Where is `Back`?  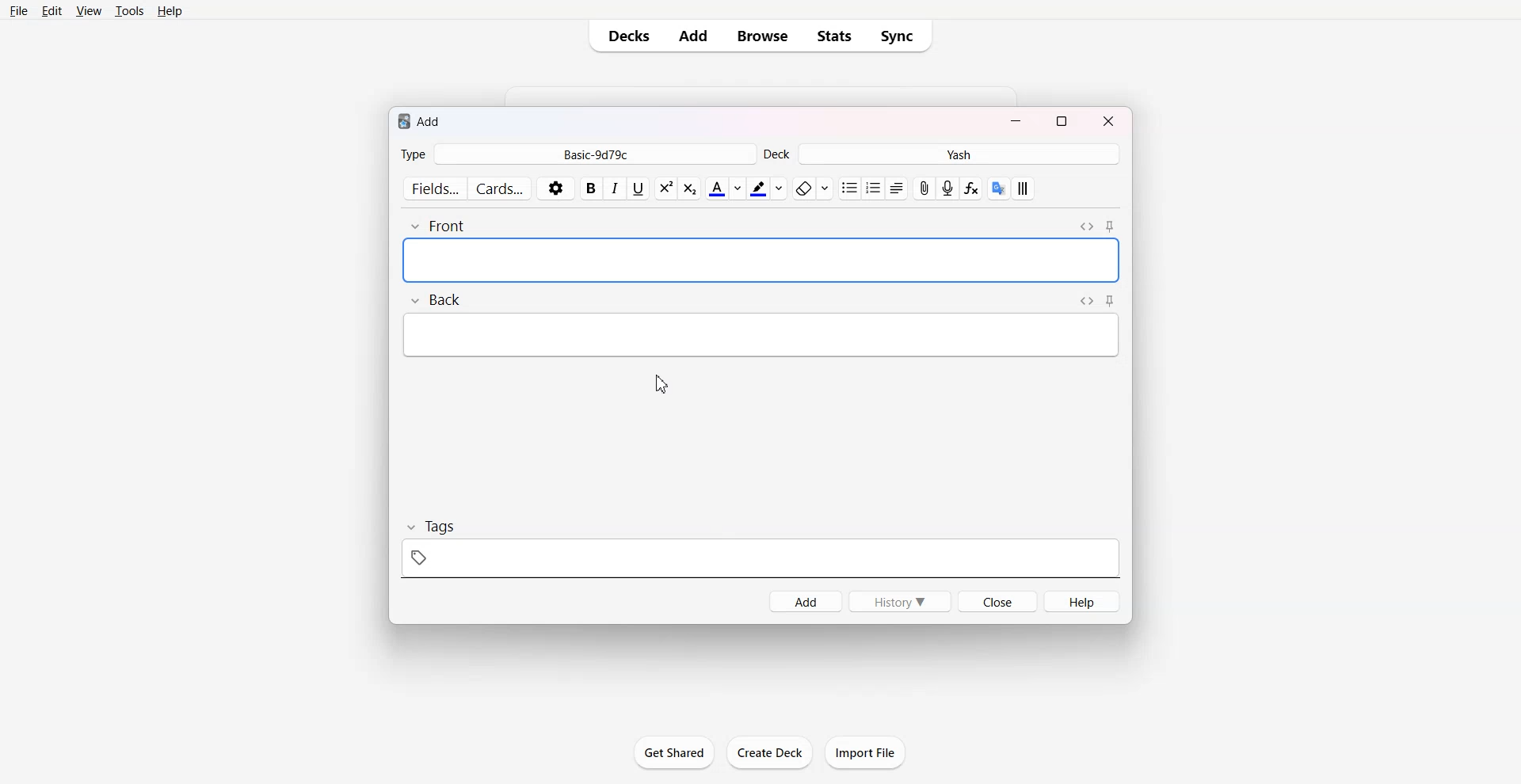
Back is located at coordinates (435, 299).